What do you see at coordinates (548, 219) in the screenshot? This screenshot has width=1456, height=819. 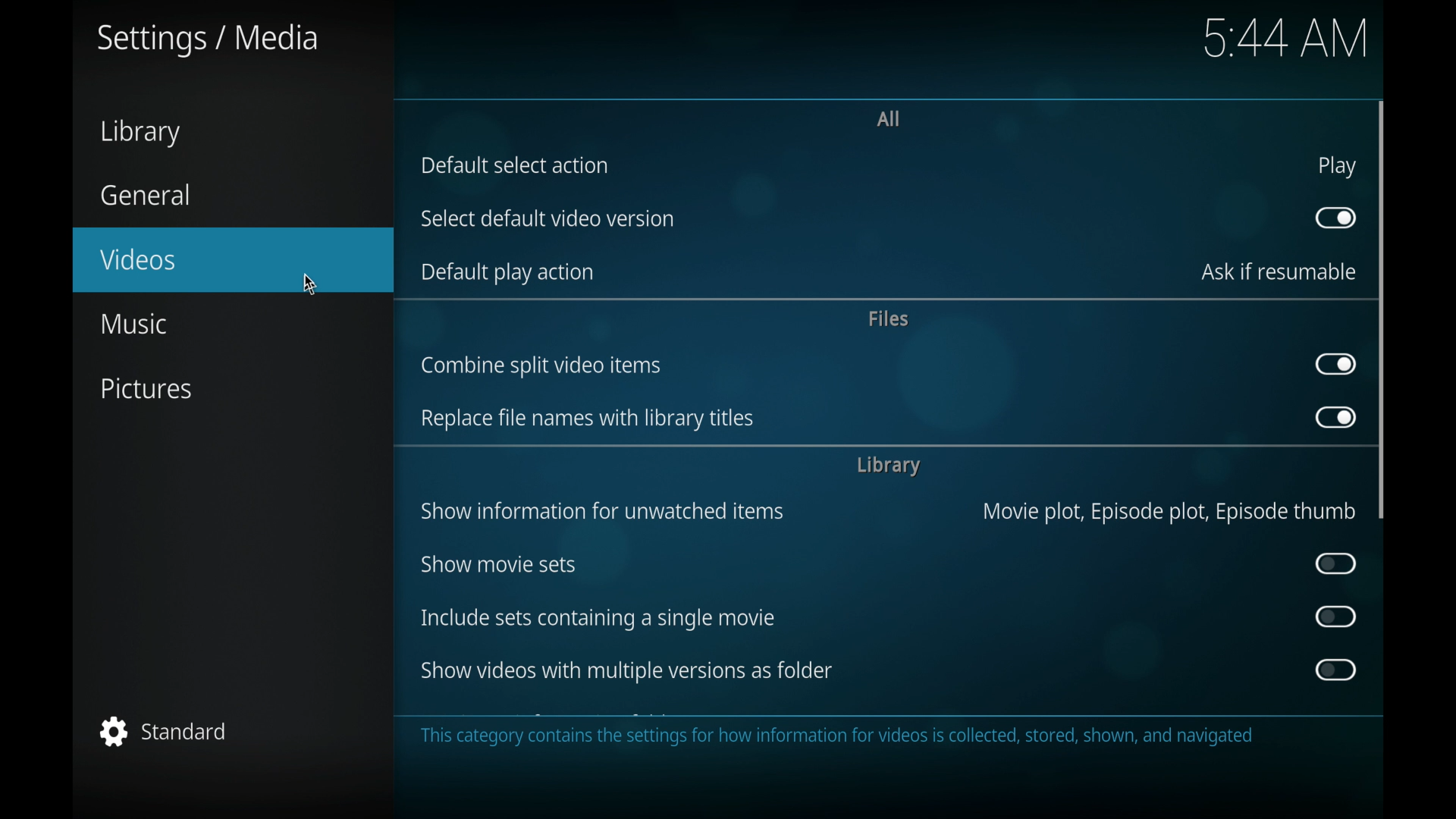 I see `select default ` at bounding box center [548, 219].